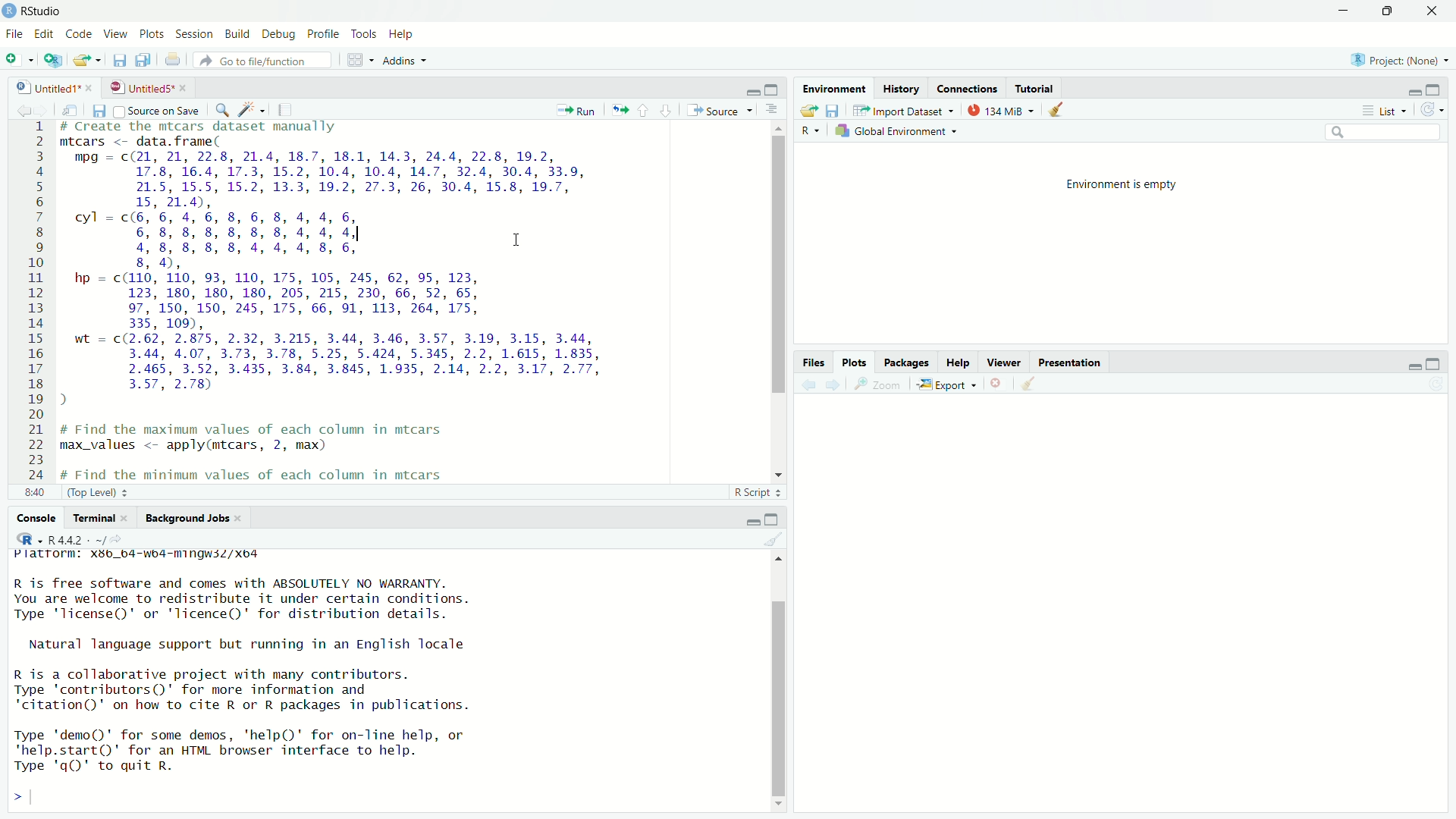  I want to click on maximise, so click(1432, 361).